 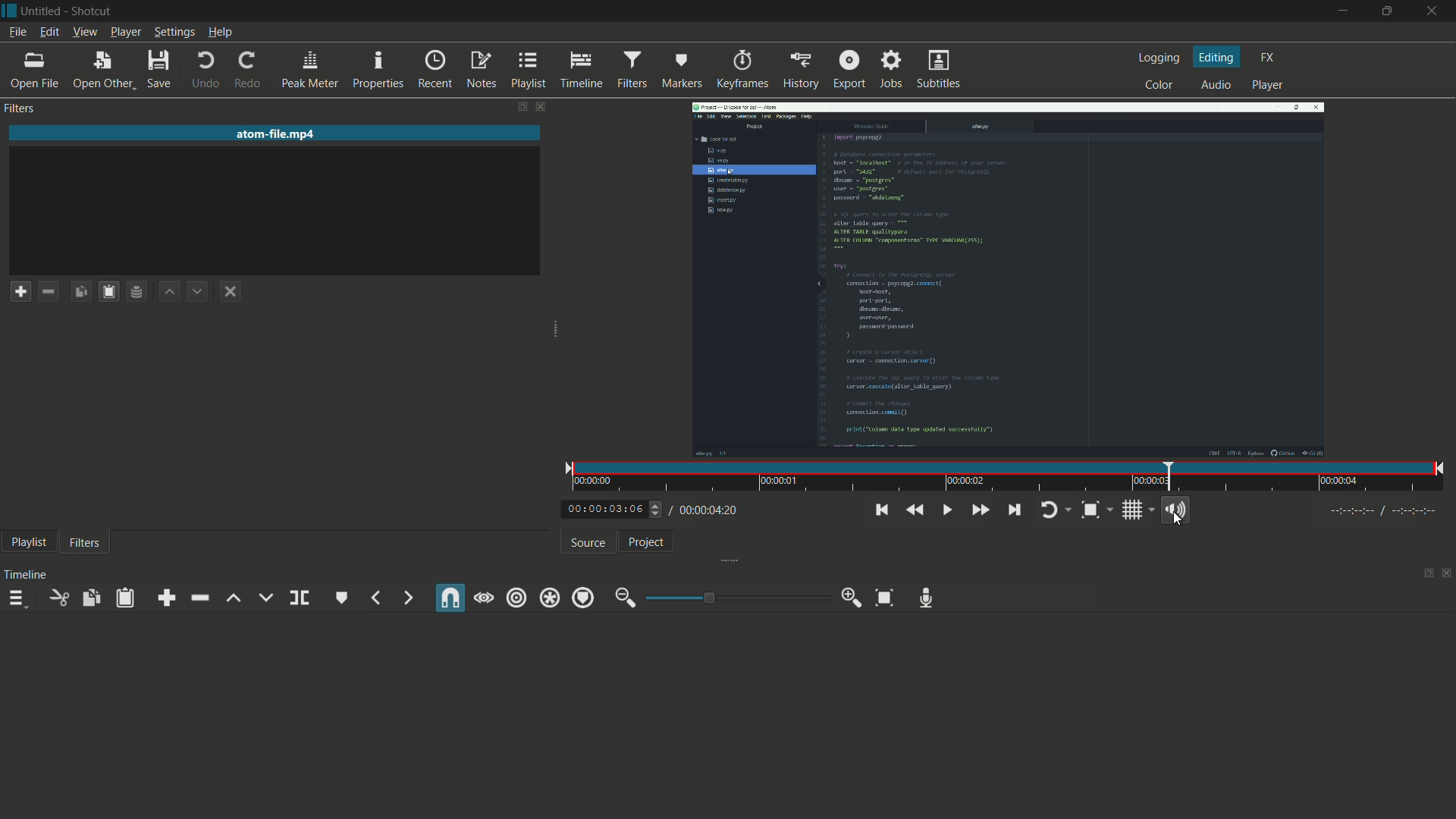 What do you see at coordinates (94, 11) in the screenshot?
I see `Shotcut` at bounding box center [94, 11].